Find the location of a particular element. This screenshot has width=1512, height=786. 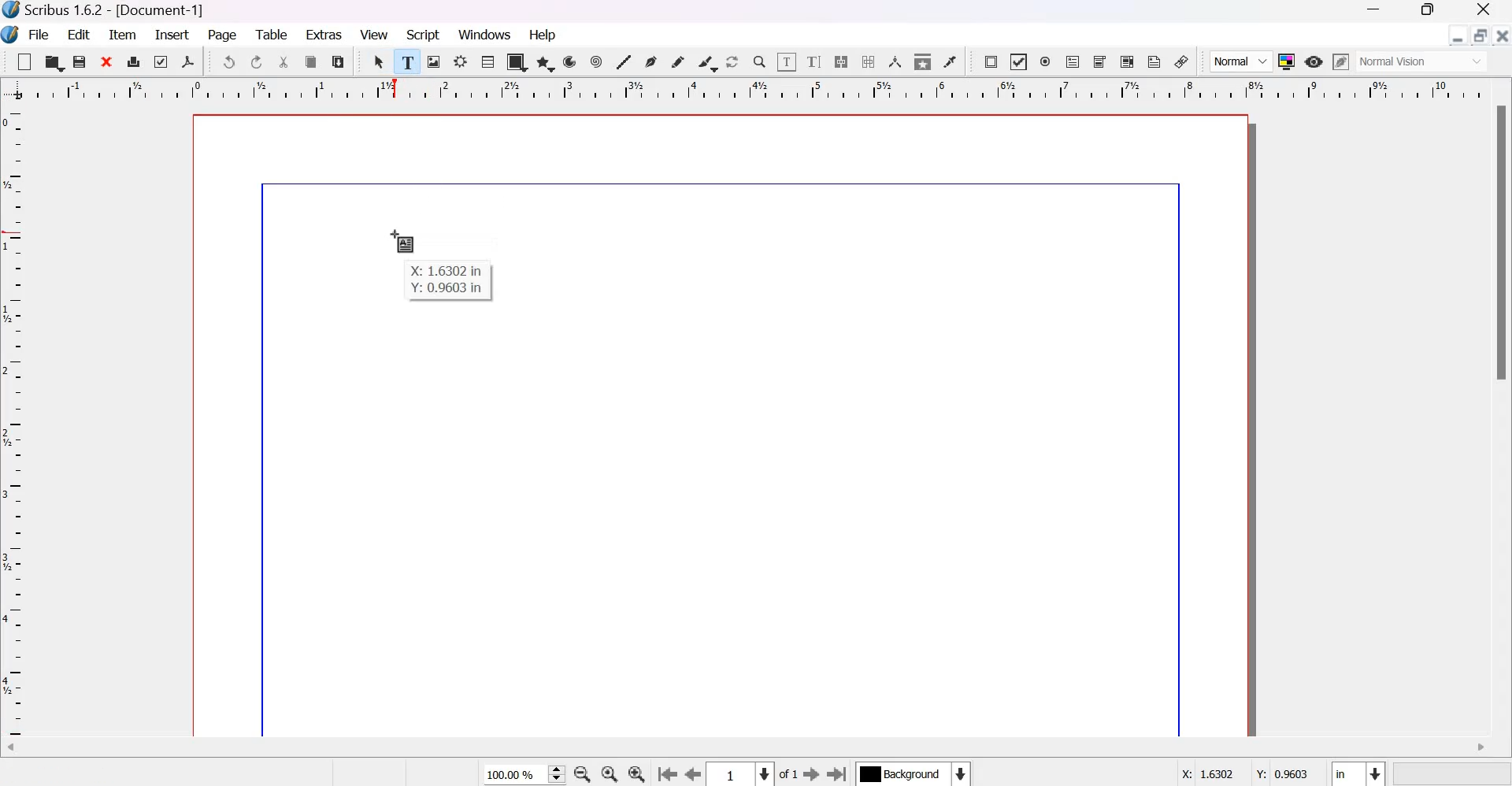

Logo is located at coordinates (11, 35).